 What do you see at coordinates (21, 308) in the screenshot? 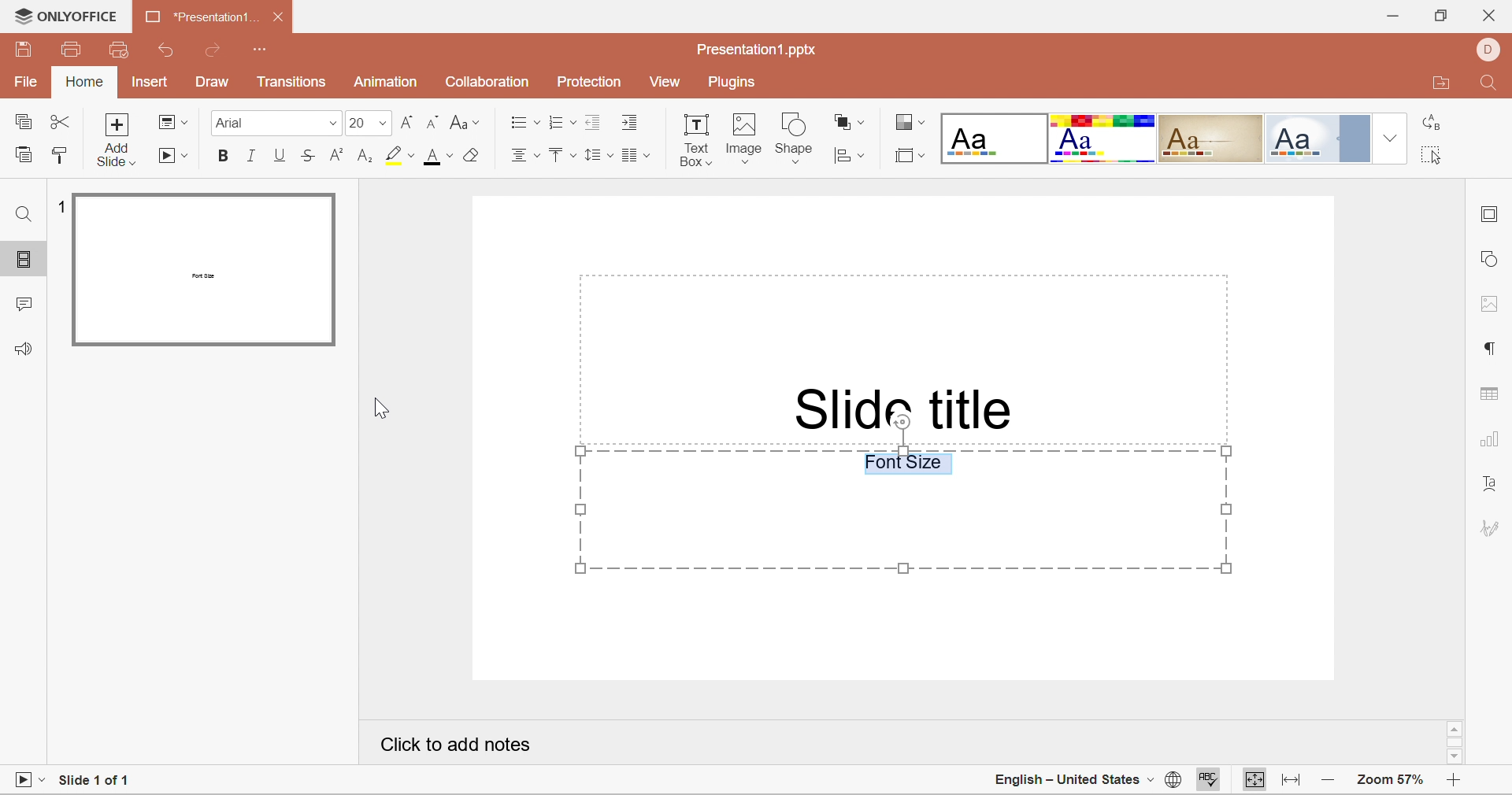
I see `Comments` at bounding box center [21, 308].